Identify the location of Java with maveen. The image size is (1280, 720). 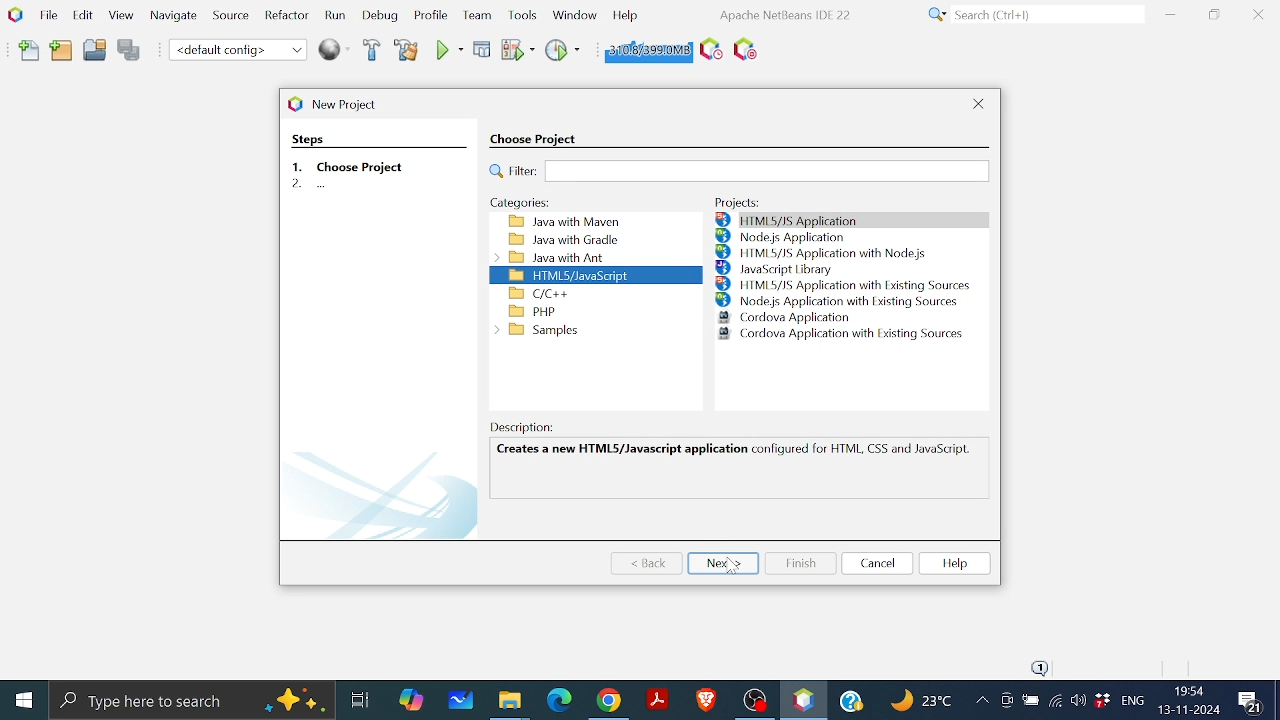
(573, 221).